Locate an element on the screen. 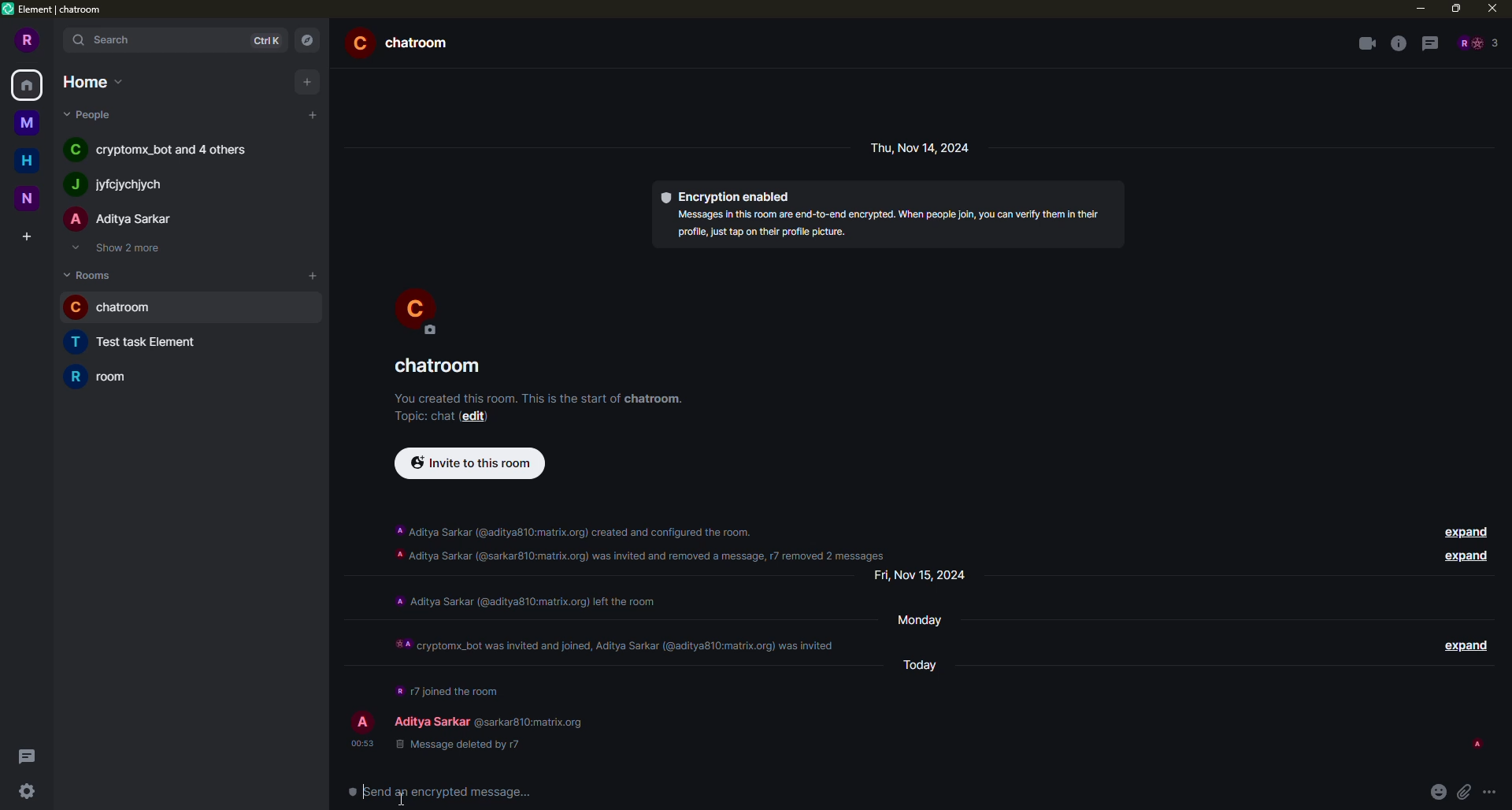 The height and width of the screenshot is (810, 1512). show 2 more is located at coordinates (123, 249).